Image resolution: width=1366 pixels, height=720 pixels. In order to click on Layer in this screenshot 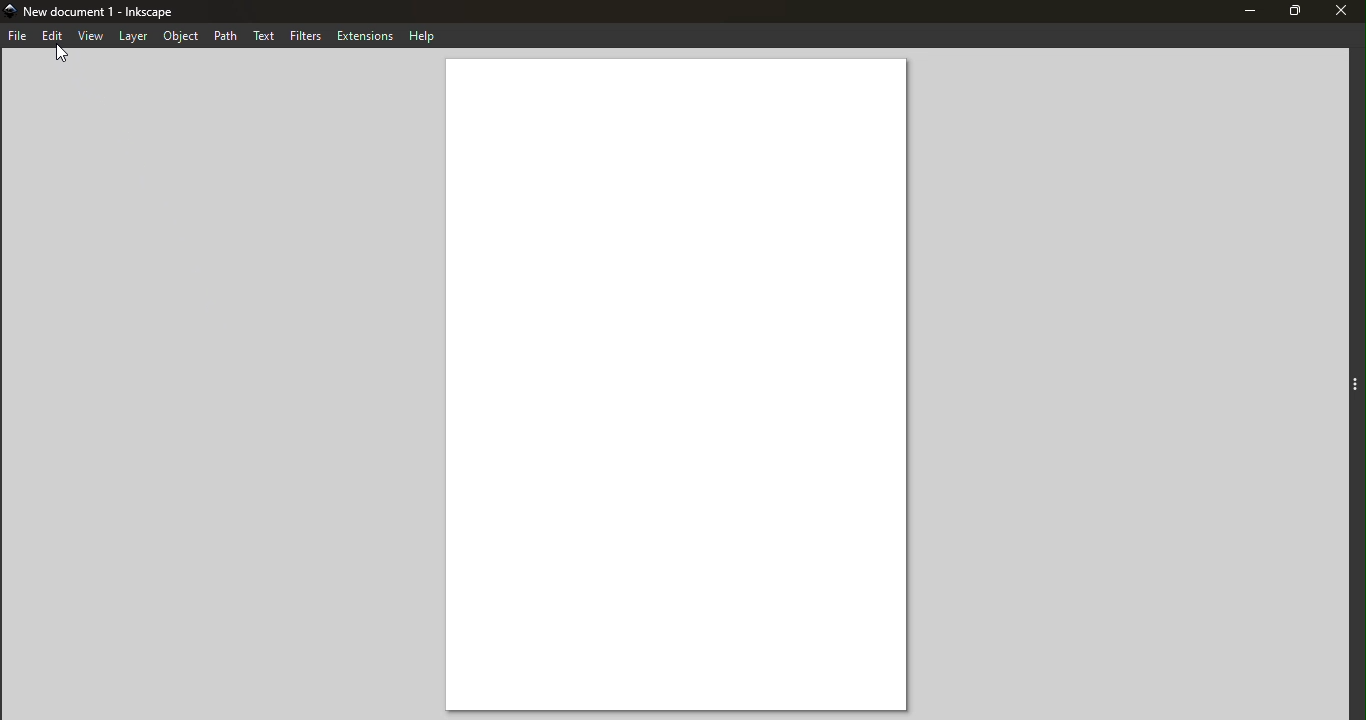, I will do `click(135, 36)`.